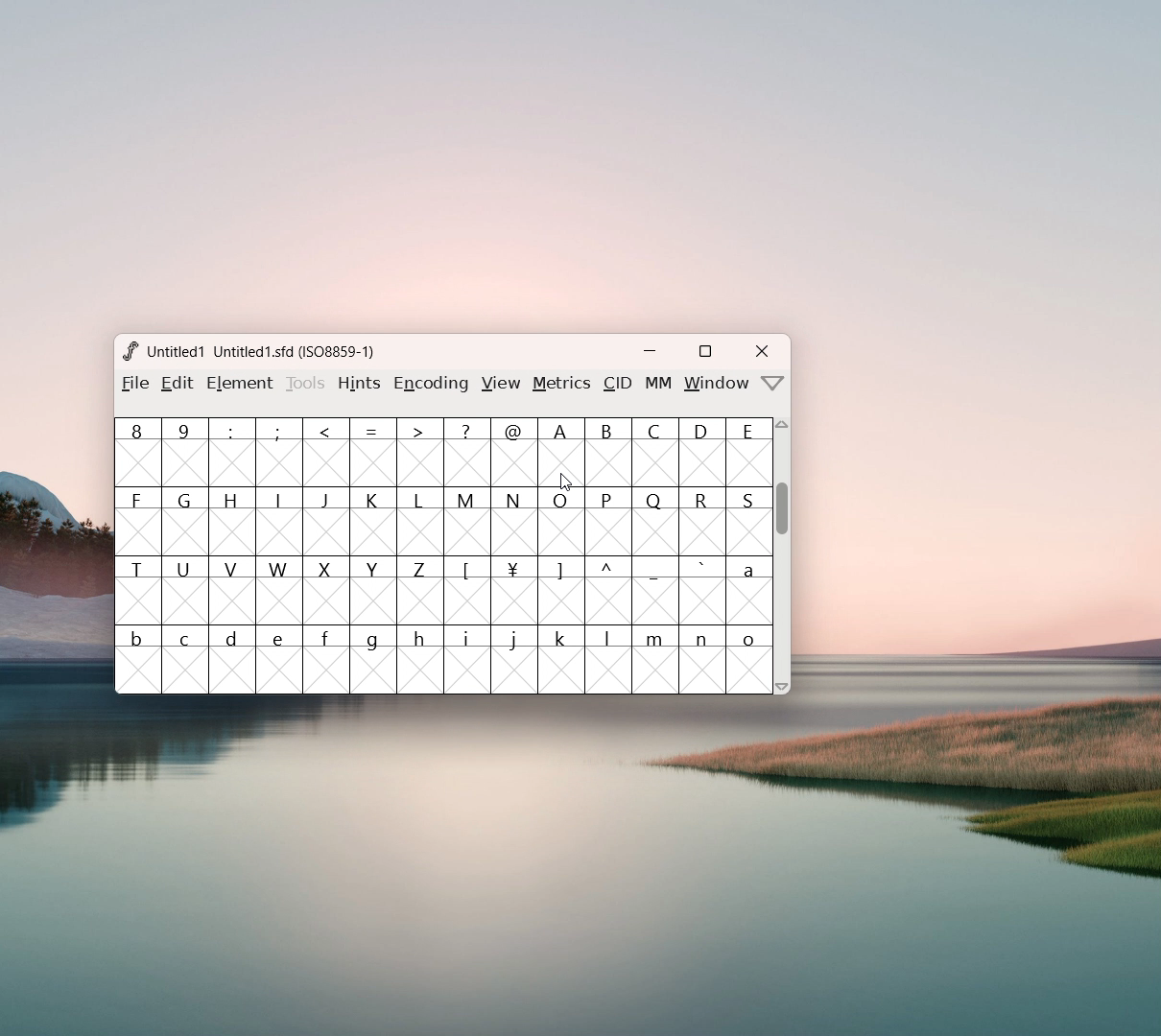 Image resolution: width=1161 pixels, height=1036 pixels. Describe the element at coordinates (129, 350) in the screenshot. I see `logo` at that location.